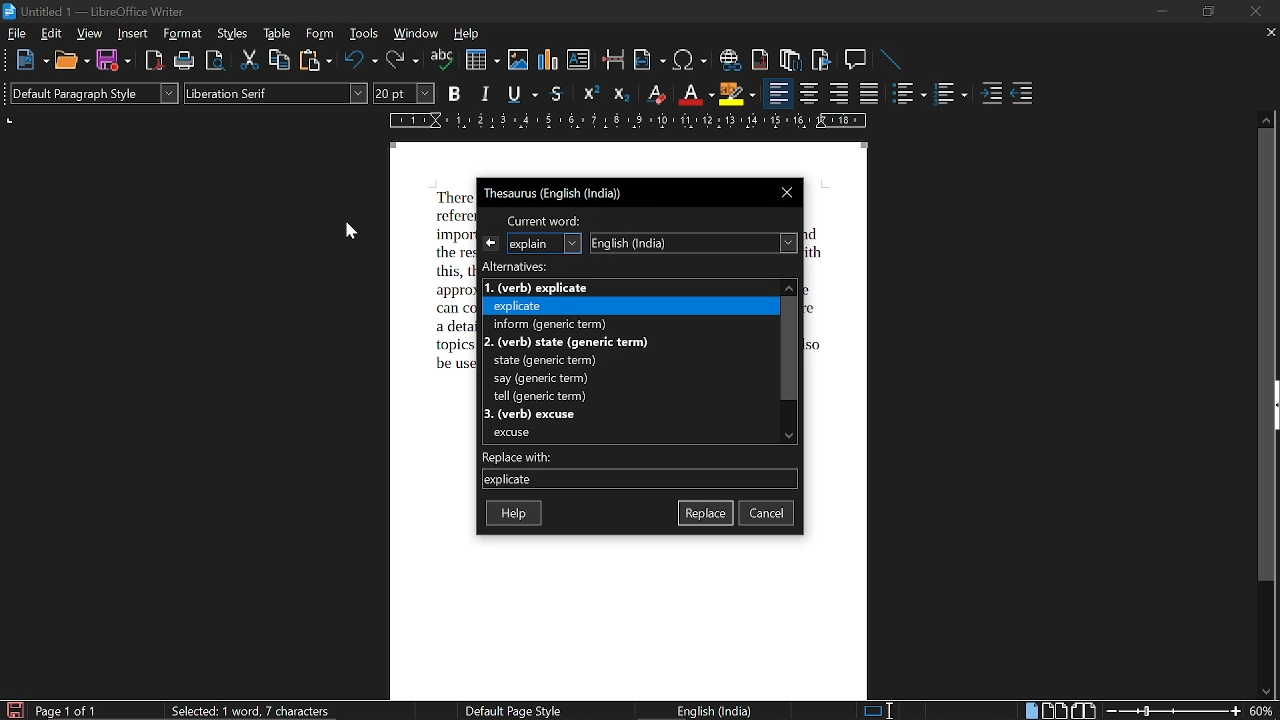 This screenshot has height=720, width=1280. What do you see at coordinates (614, 61) in the screenshot?
I see `insert page break` at bounding box center [614, 61].